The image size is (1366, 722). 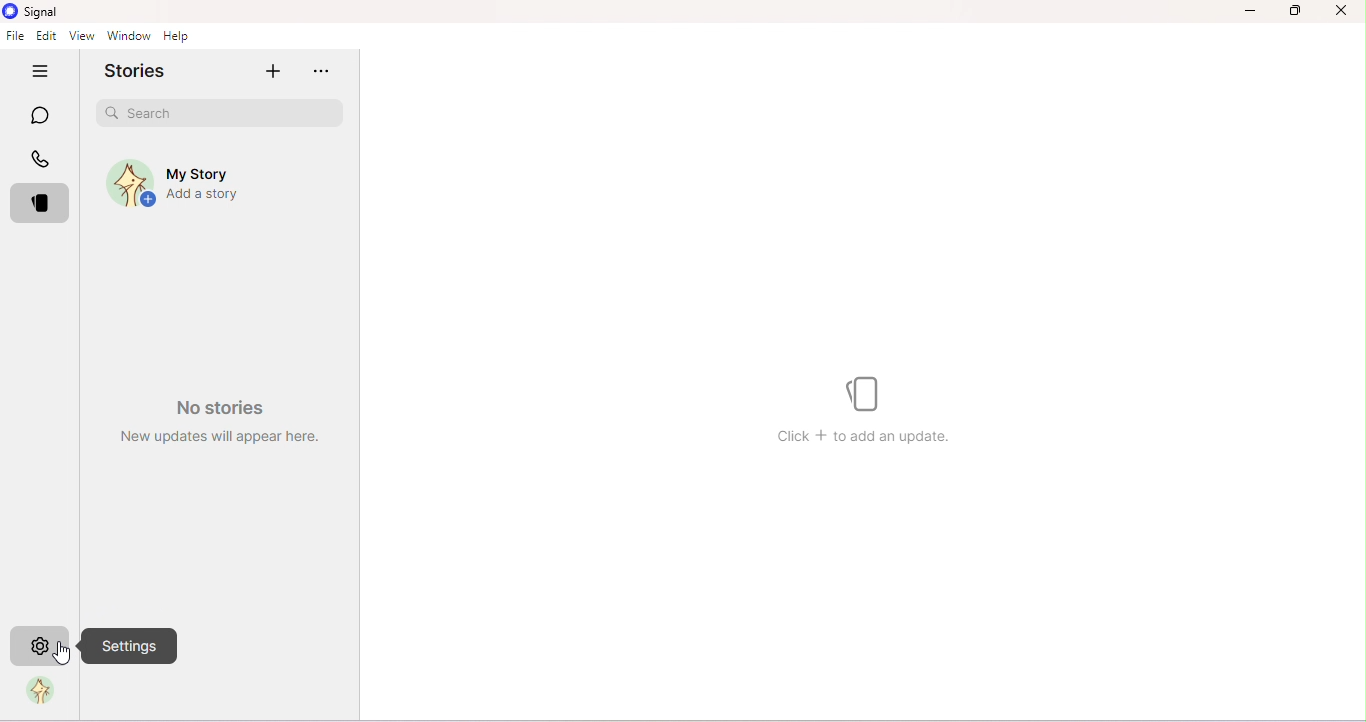 What do you see at coordinates (1297, 12) in the screenshot?
I see `Maximize` at bounding box center [1297, 12].